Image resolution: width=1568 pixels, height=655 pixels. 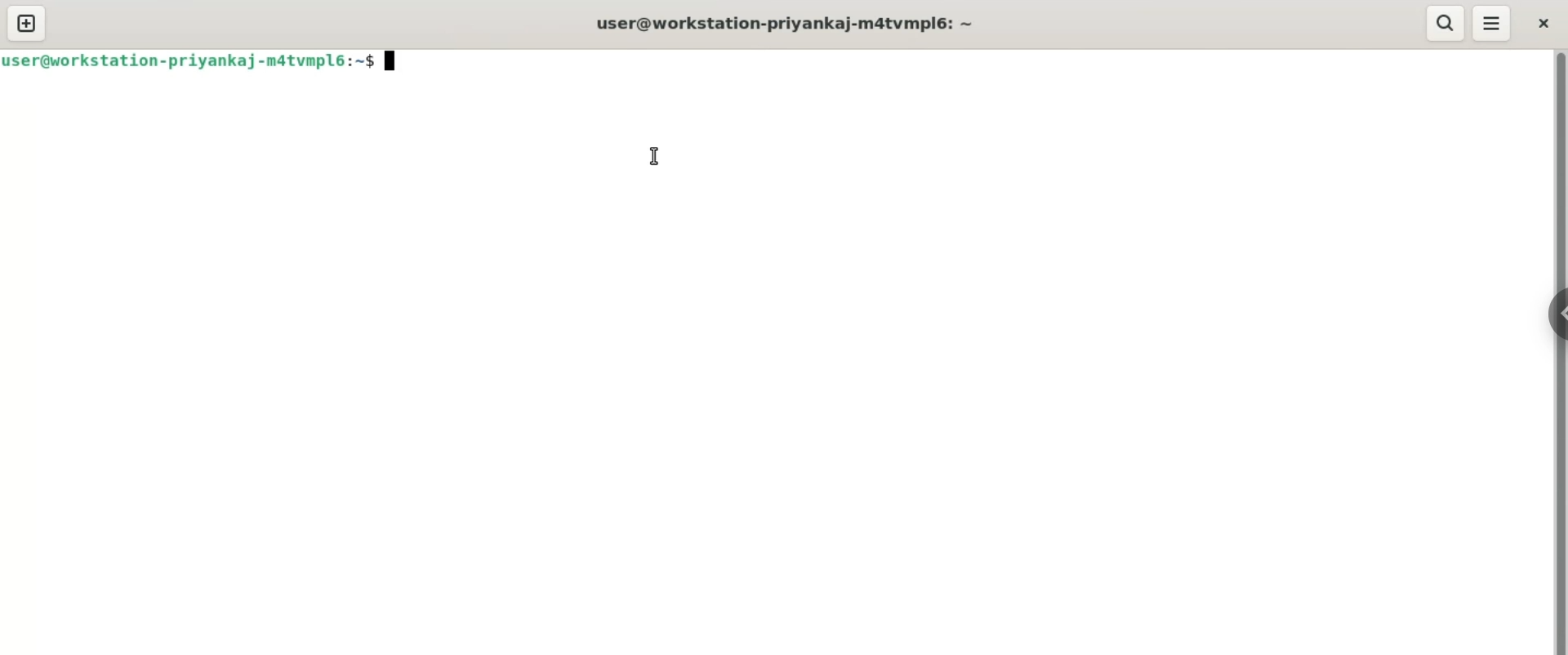 I want to click on menu, so click(x=1494, y=25).